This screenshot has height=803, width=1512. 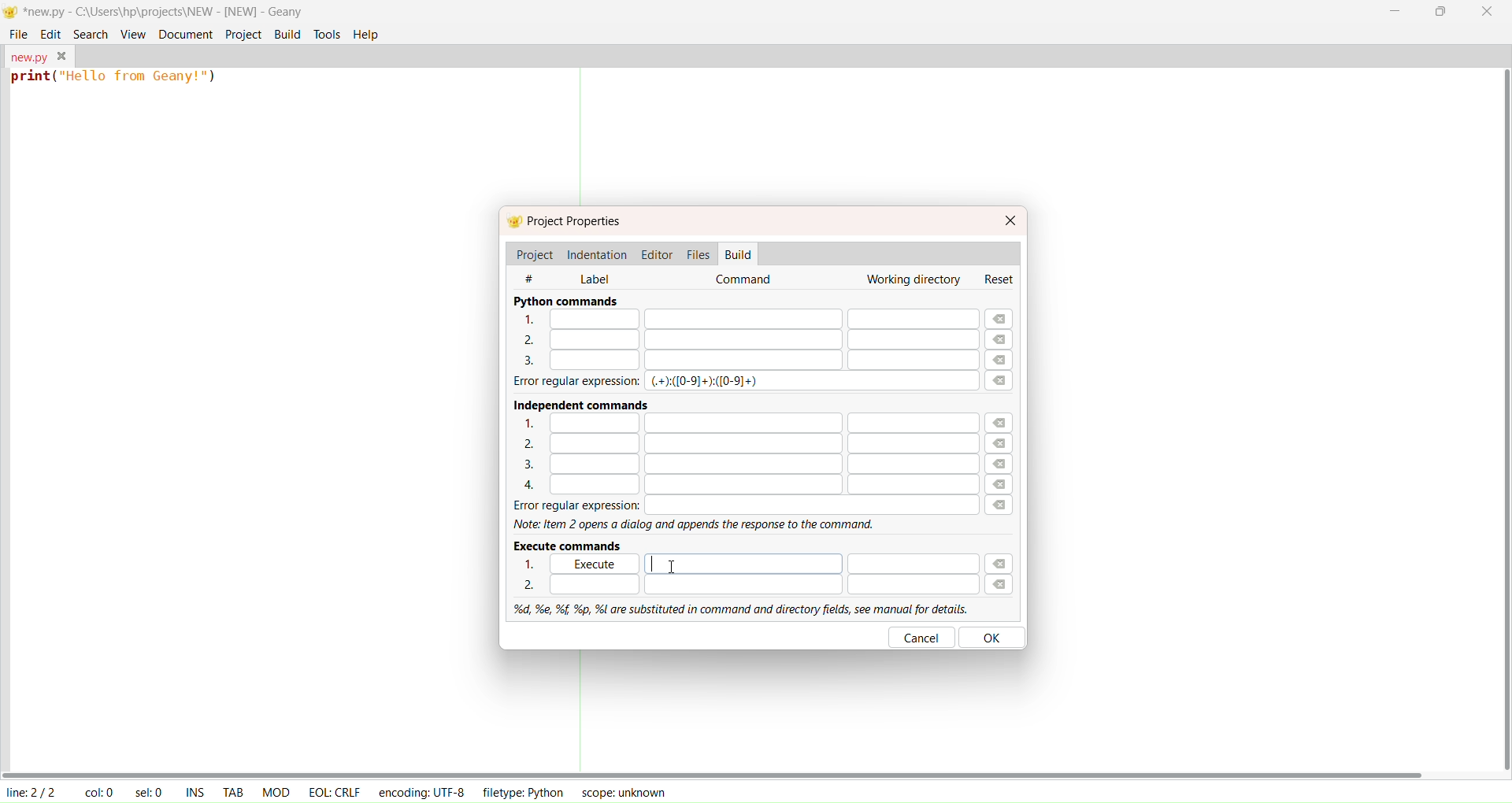 What do you see at coordinates (183, 33) in the screenshot?
I see `document` at bounding box center [183, 33].